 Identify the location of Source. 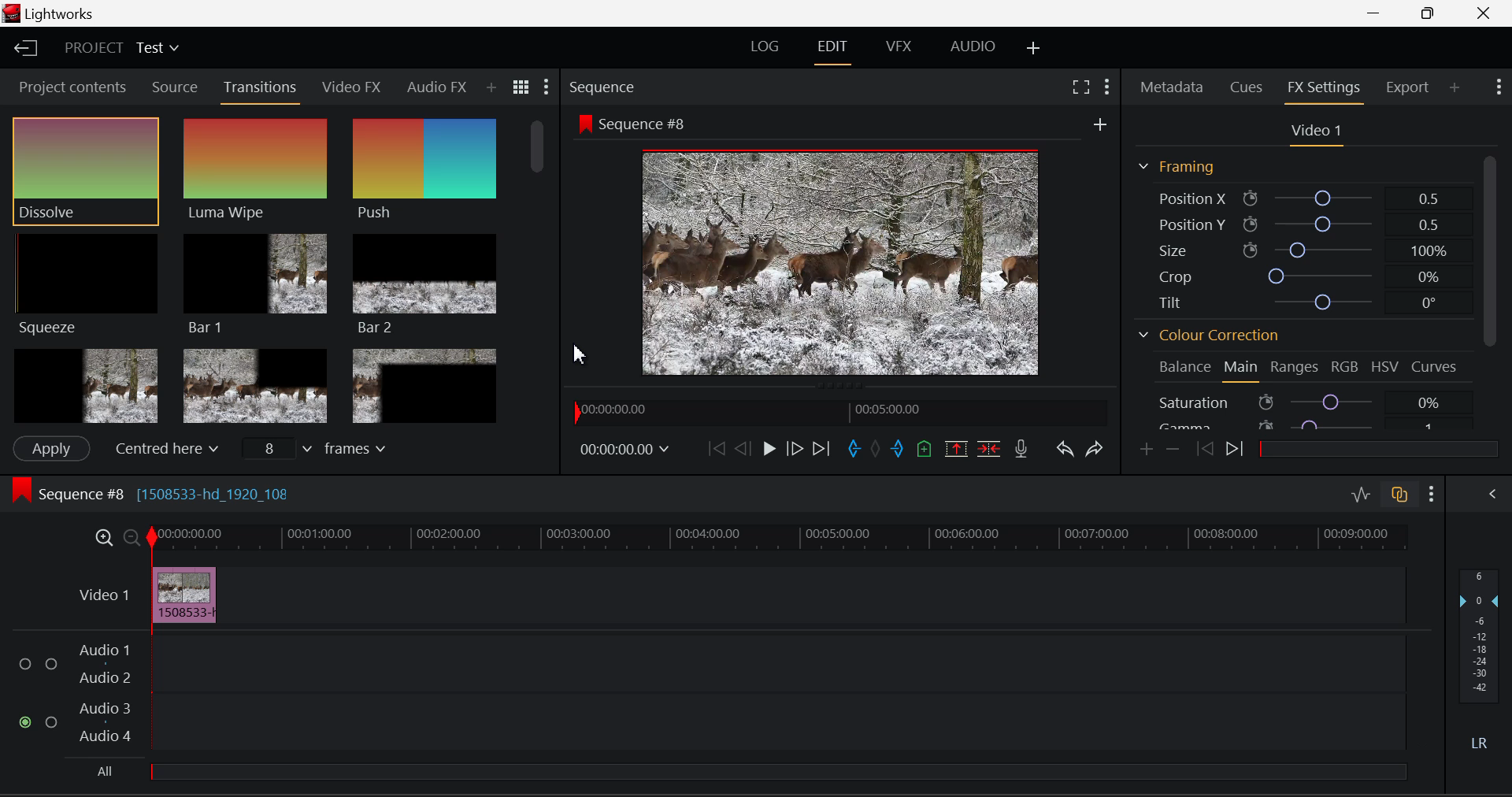
(175, 89).